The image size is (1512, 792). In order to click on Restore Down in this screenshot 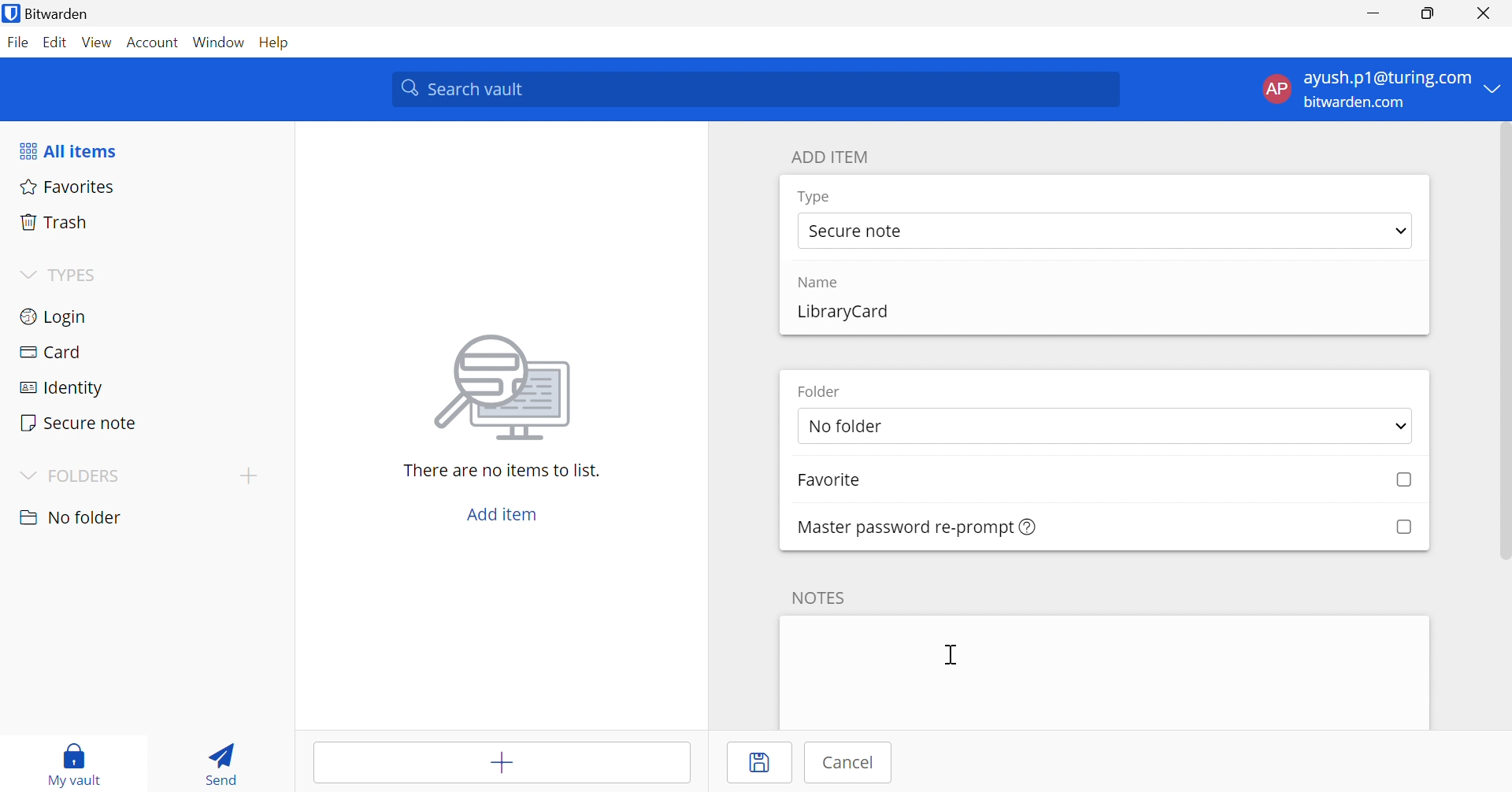, I will do `click(1429, 11)`.